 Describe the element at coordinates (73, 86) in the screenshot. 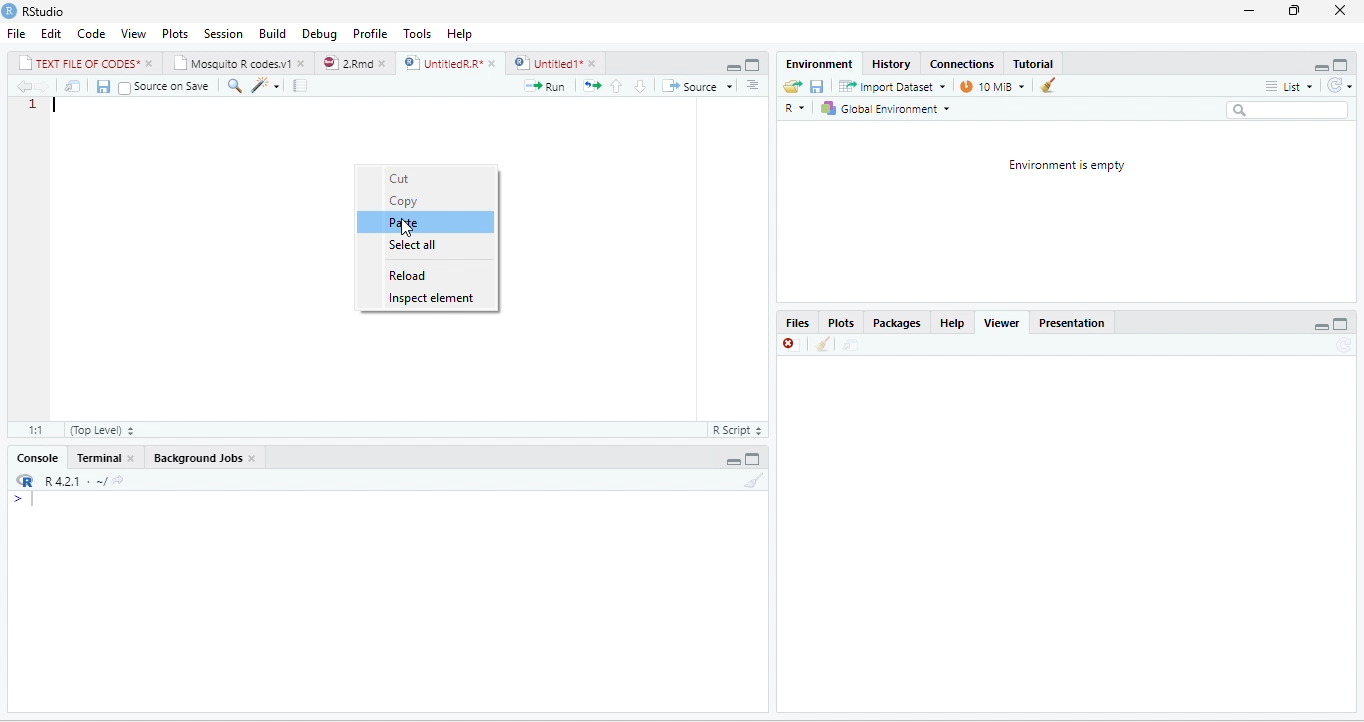

I see `move` at that location.